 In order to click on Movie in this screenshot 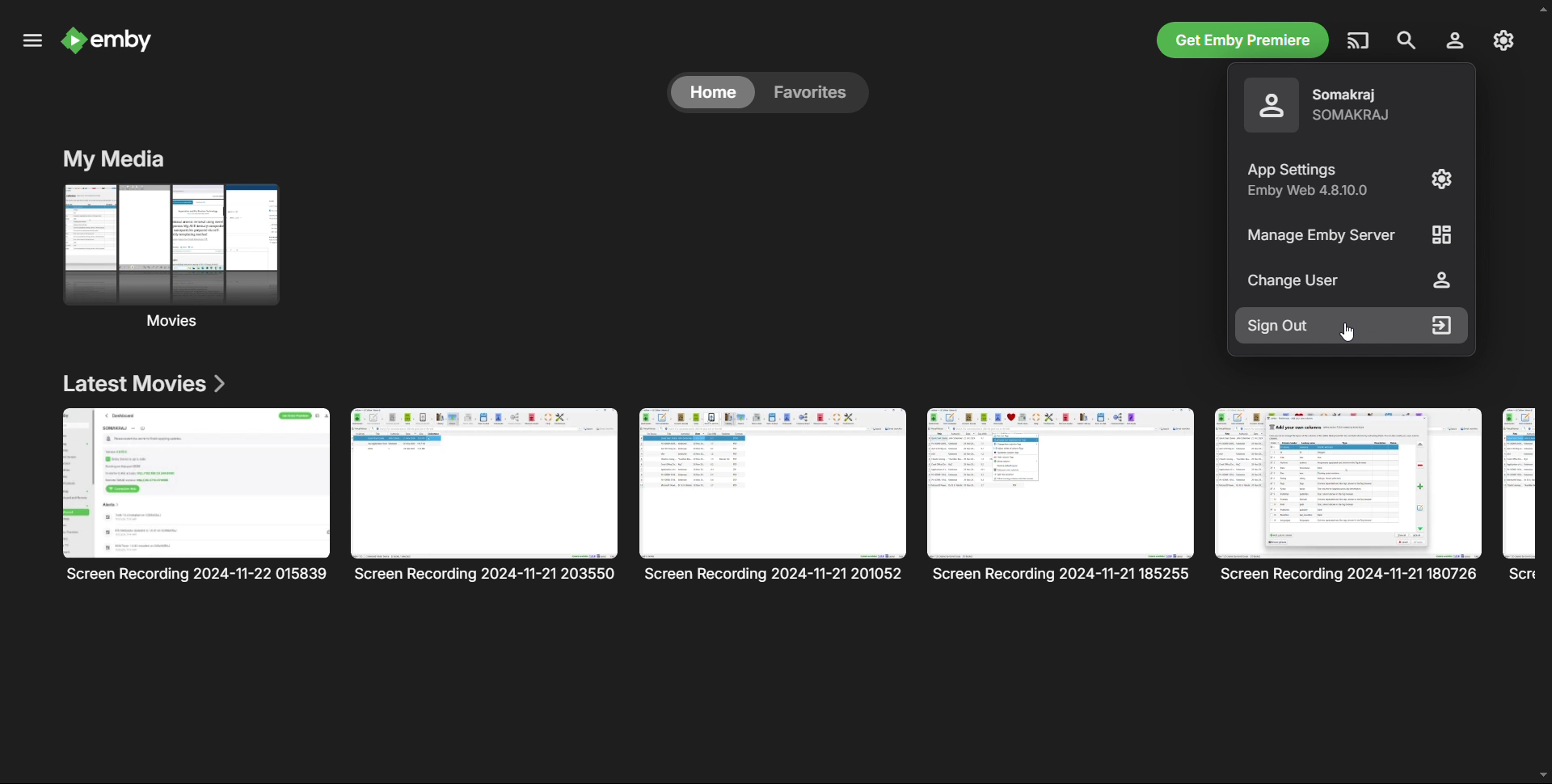, I will do `click(484, 495)`.